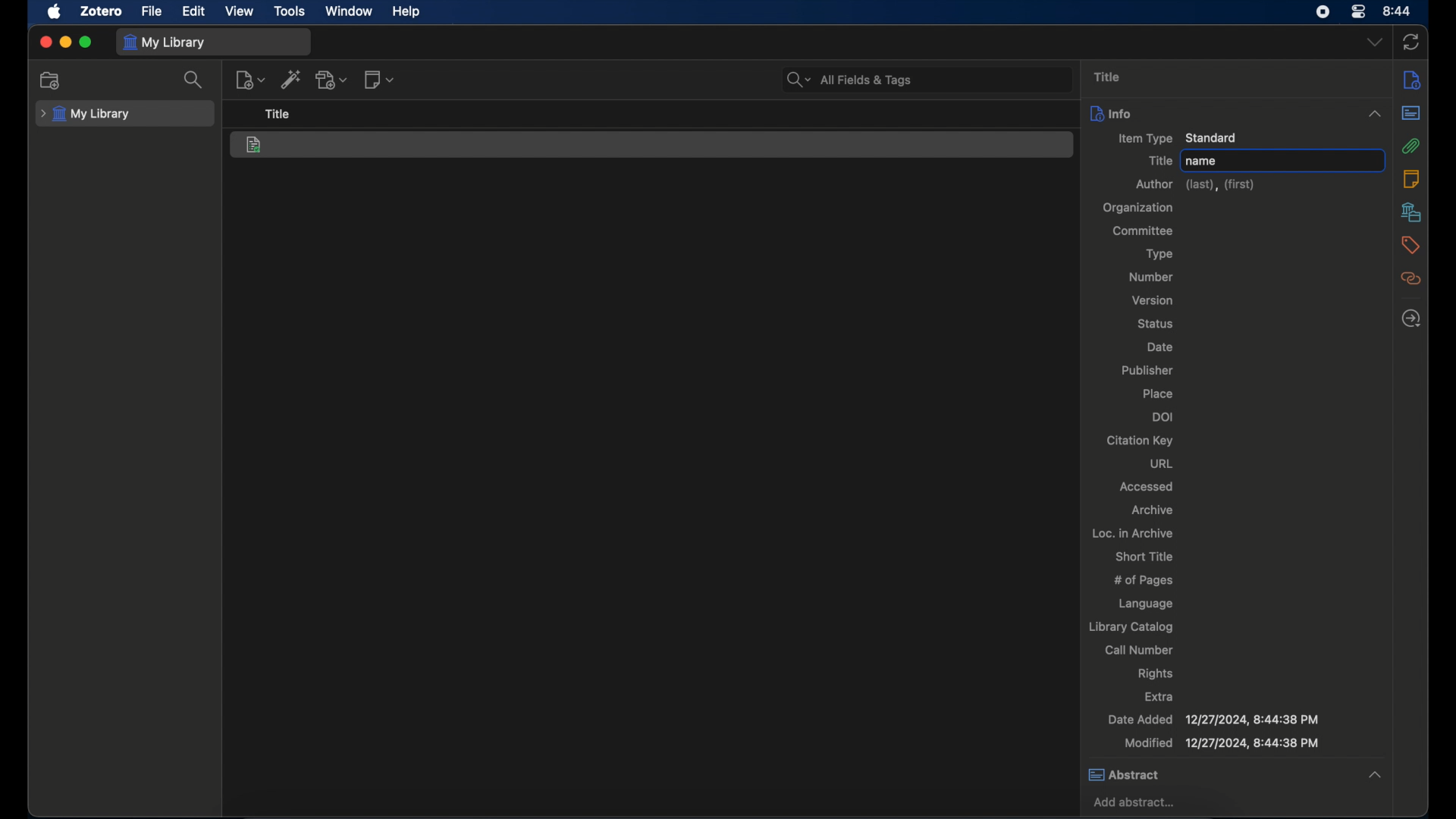  I want to click on title, so click(278, 115).